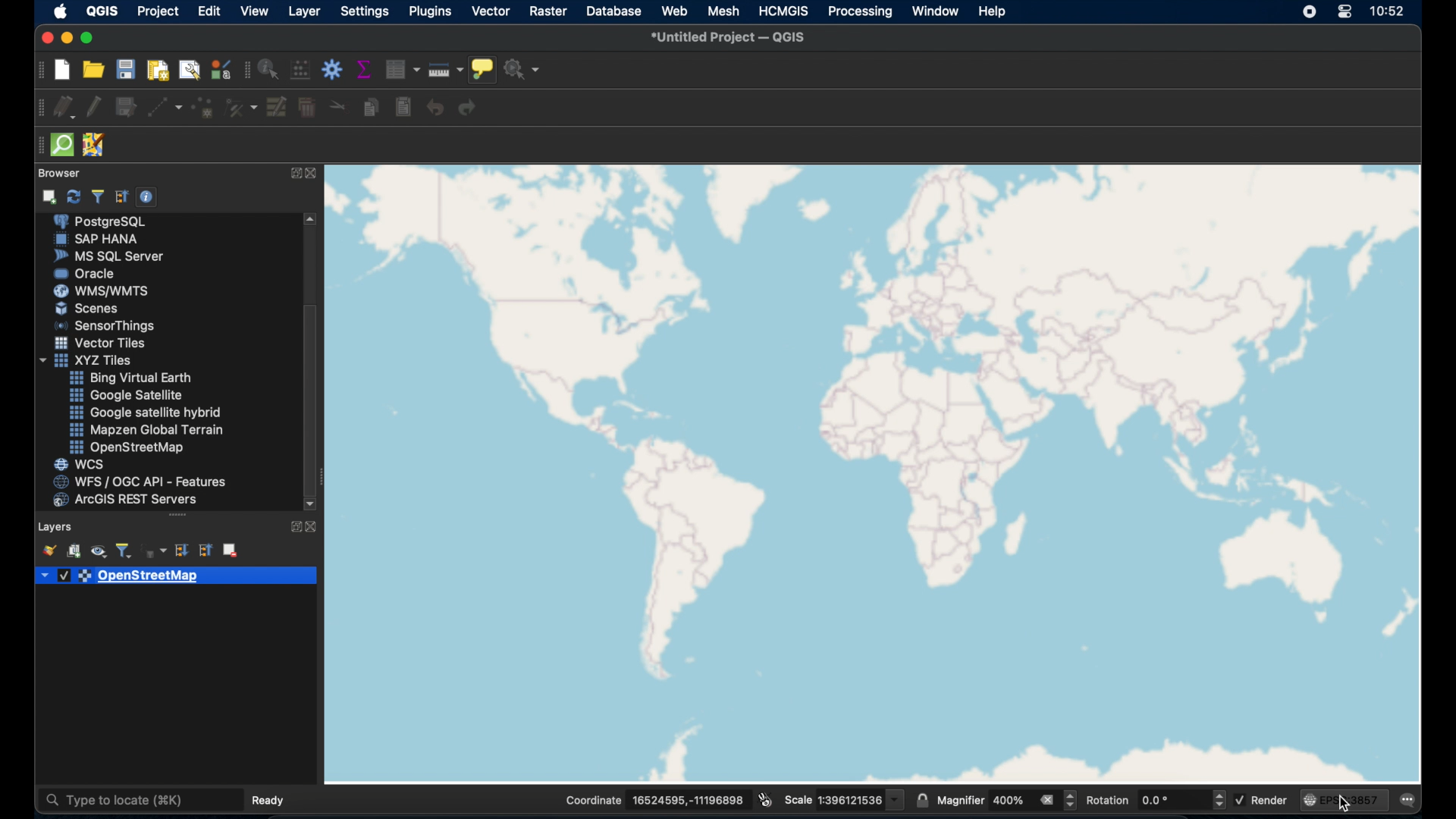 The image size is (1456, 819). What do you see at coordinates (130, 397) in the screenshot?
I see `google satellite` at bounding box center [130, 397].